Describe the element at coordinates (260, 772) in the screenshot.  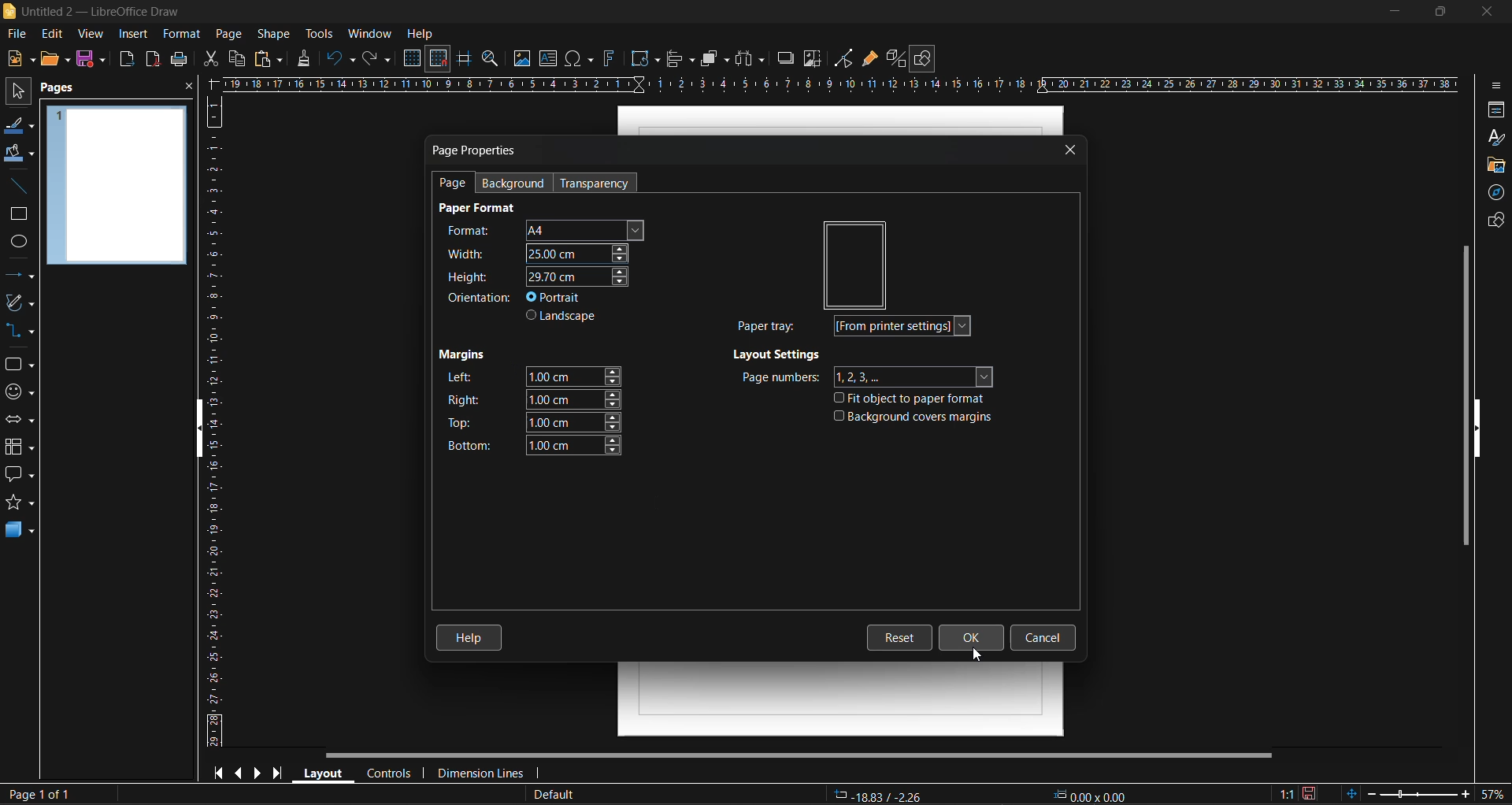
I see `next` at that location.